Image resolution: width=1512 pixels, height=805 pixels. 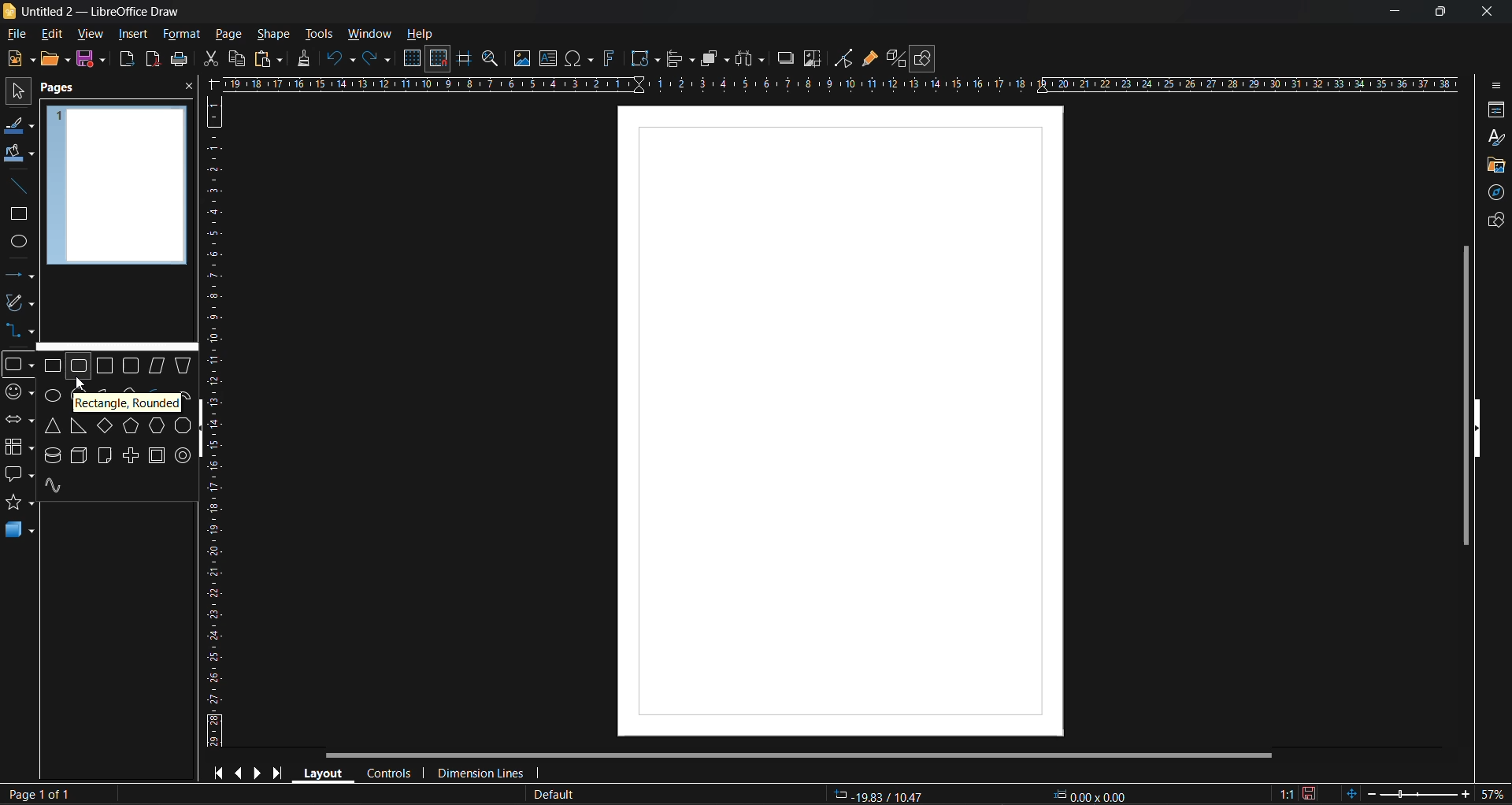 What do you see at coordinates (133, 455) in the screenshot?
I see `cross` at bounding box center [133, 455].